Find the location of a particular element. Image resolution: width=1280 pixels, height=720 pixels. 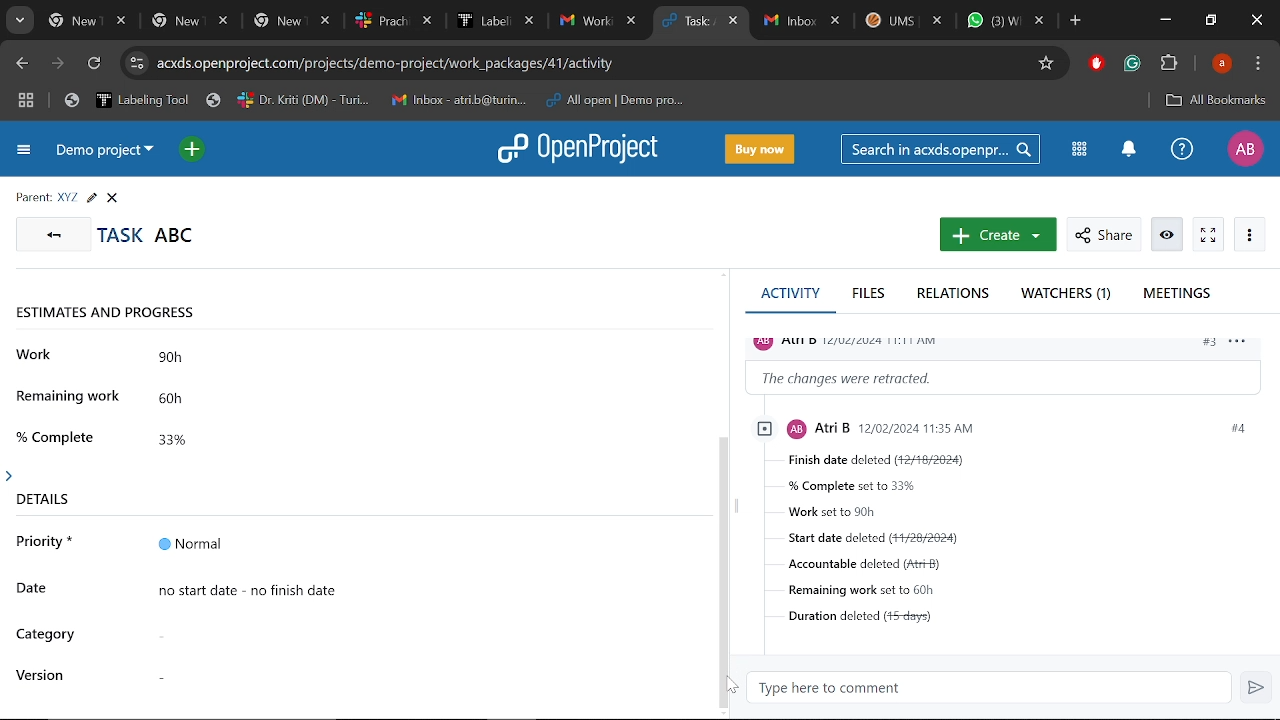

Edit task is located at coordinates (91, 198).